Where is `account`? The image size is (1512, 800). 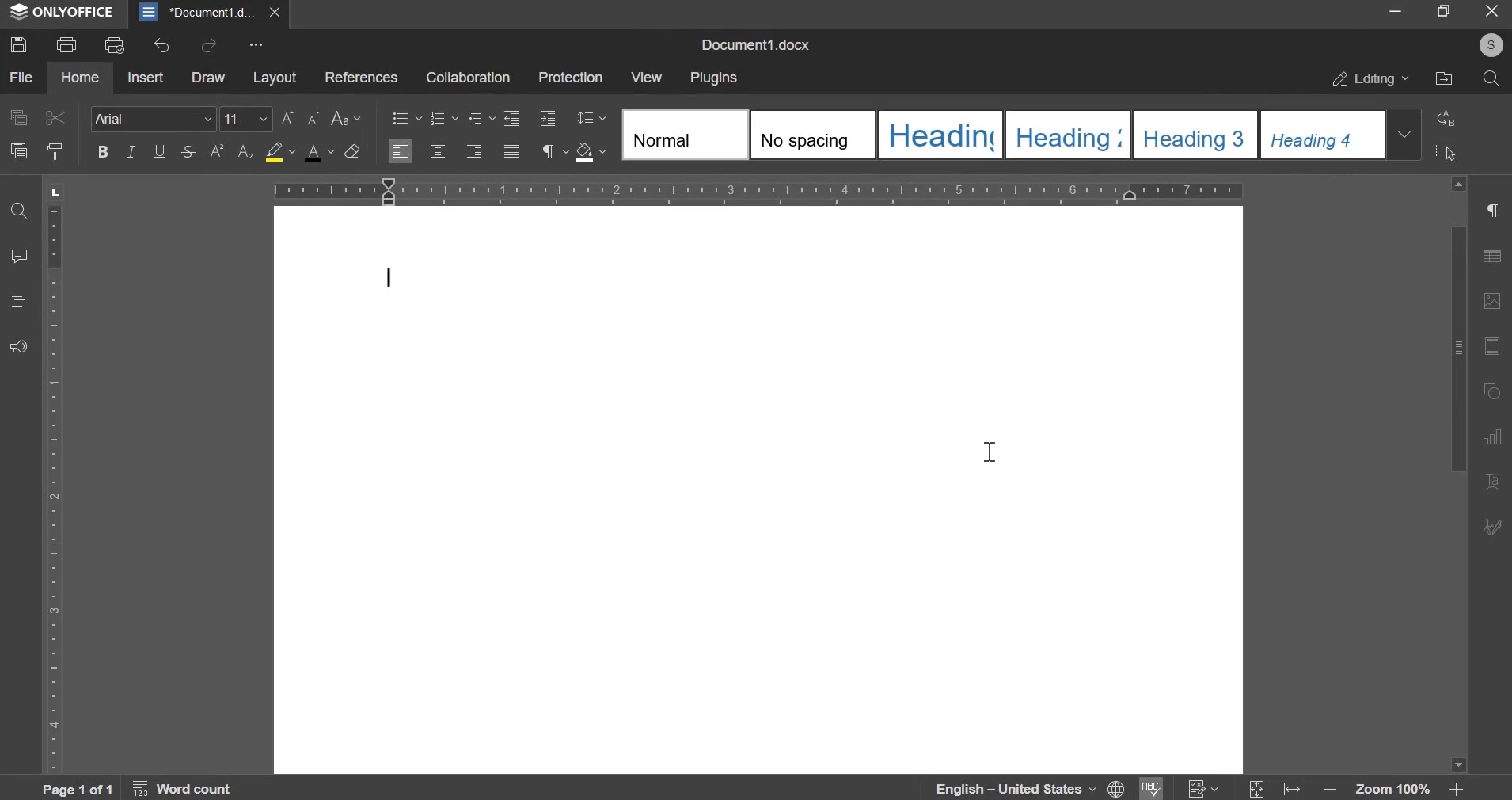 account is located at coordinates (1489, 46).